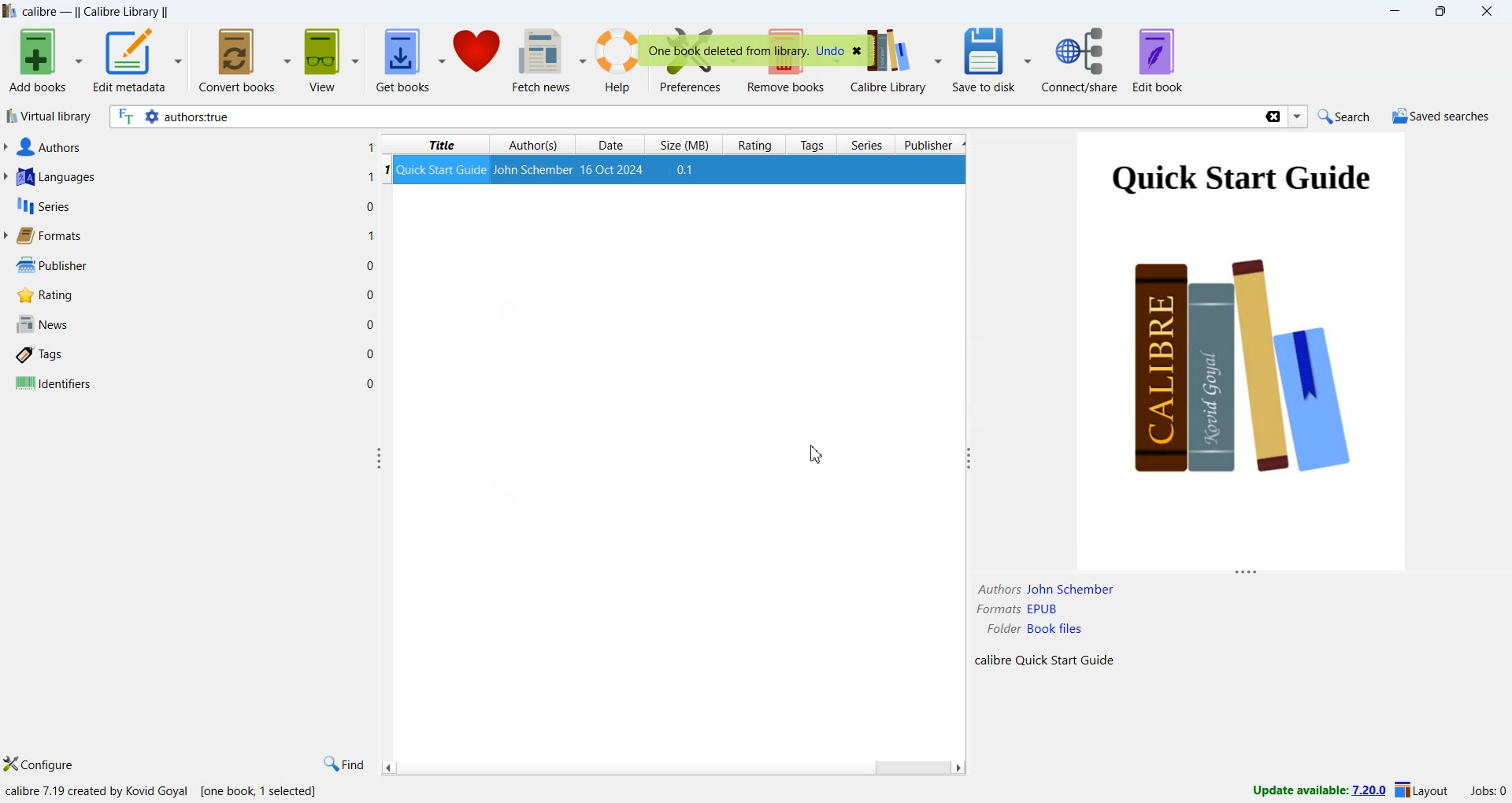 This screenshot has width=1512, height=803. What do you see at coordinates (371, 176) in the screenshot?
I see `1` at bounding box center [371, 176].